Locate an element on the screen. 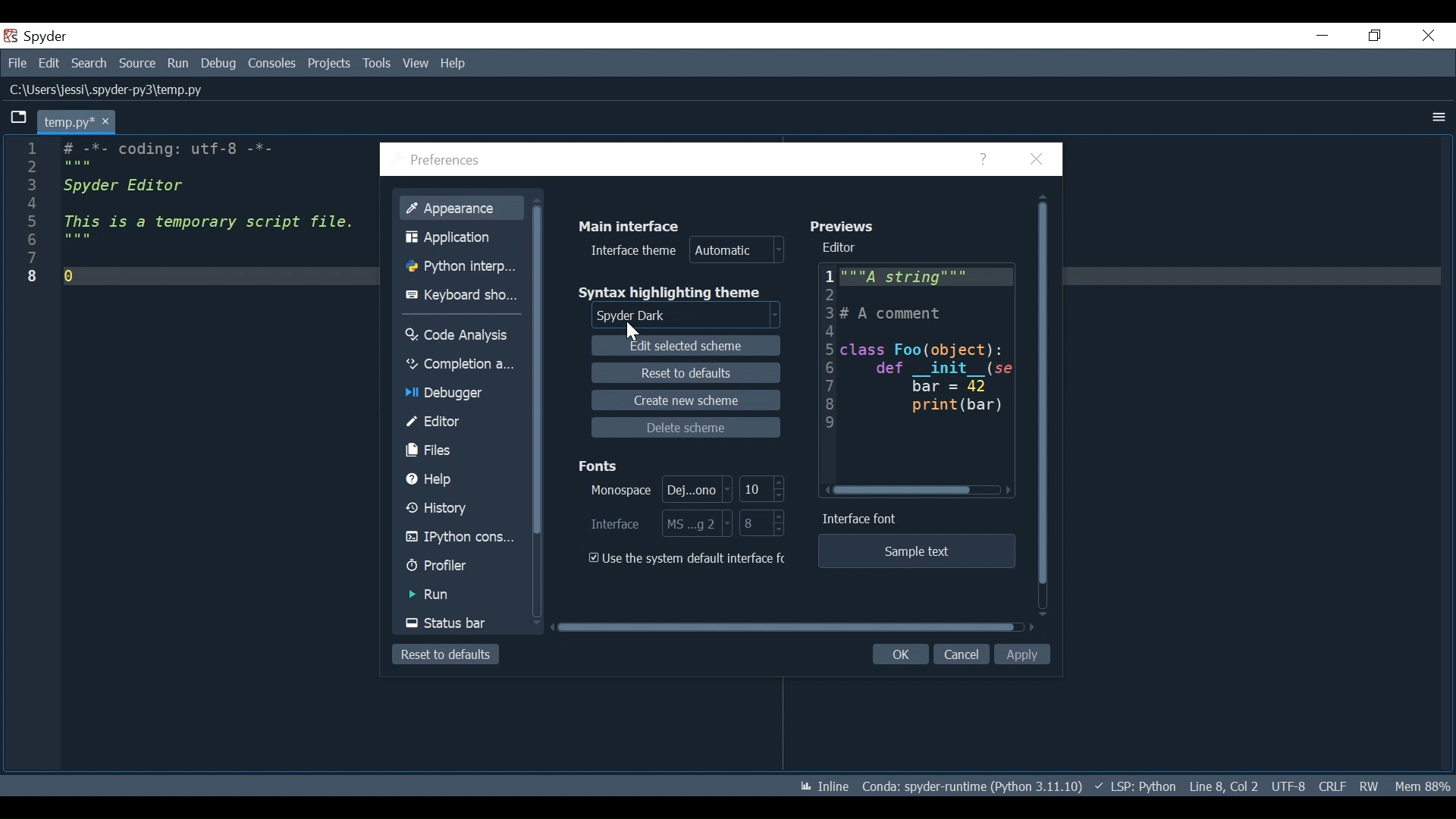 The image size is (1456, 819). Select Syntax Highlighting theme  is located at coordinates (686, 317).